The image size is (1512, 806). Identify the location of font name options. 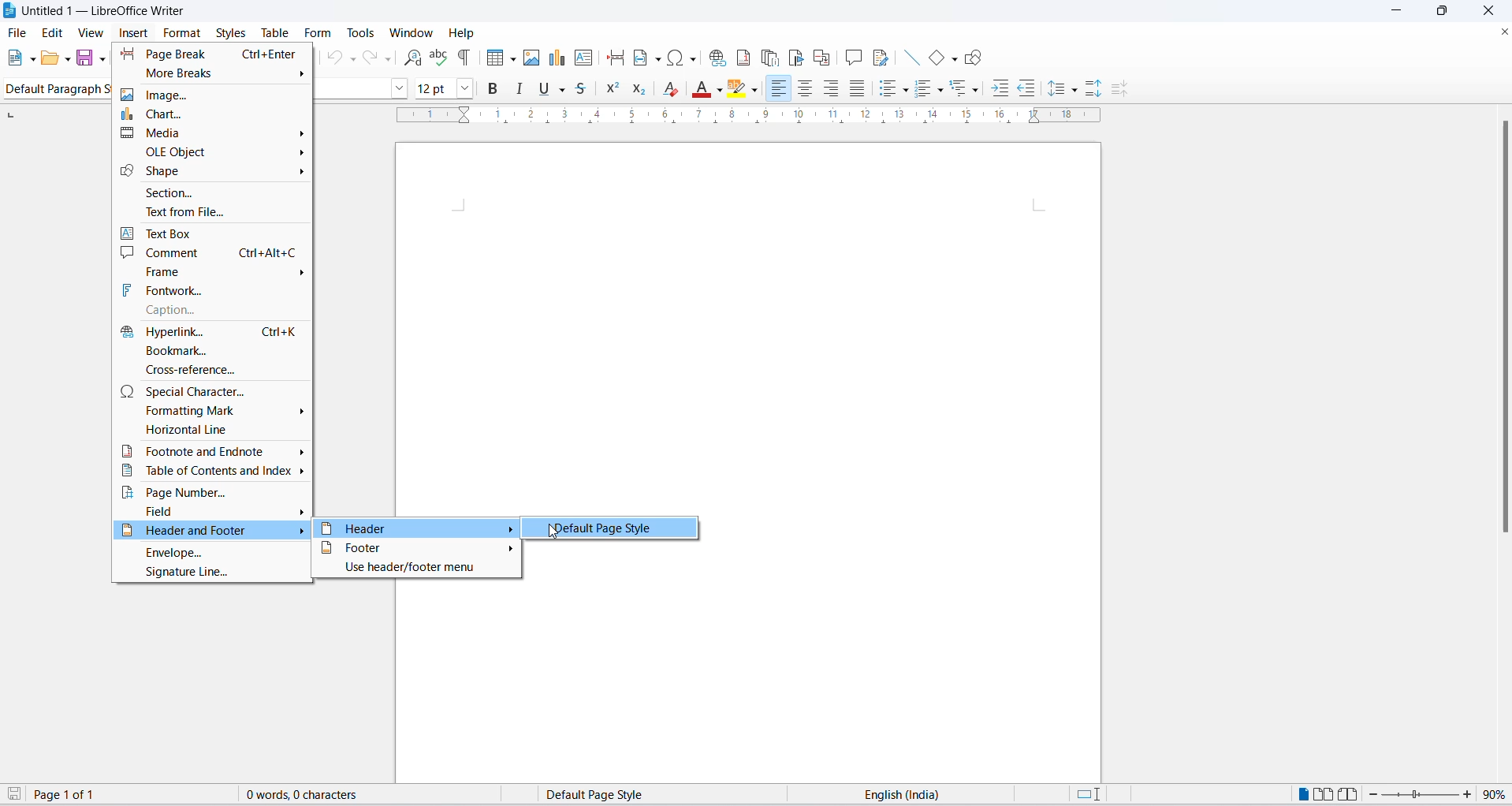
(402, 88).